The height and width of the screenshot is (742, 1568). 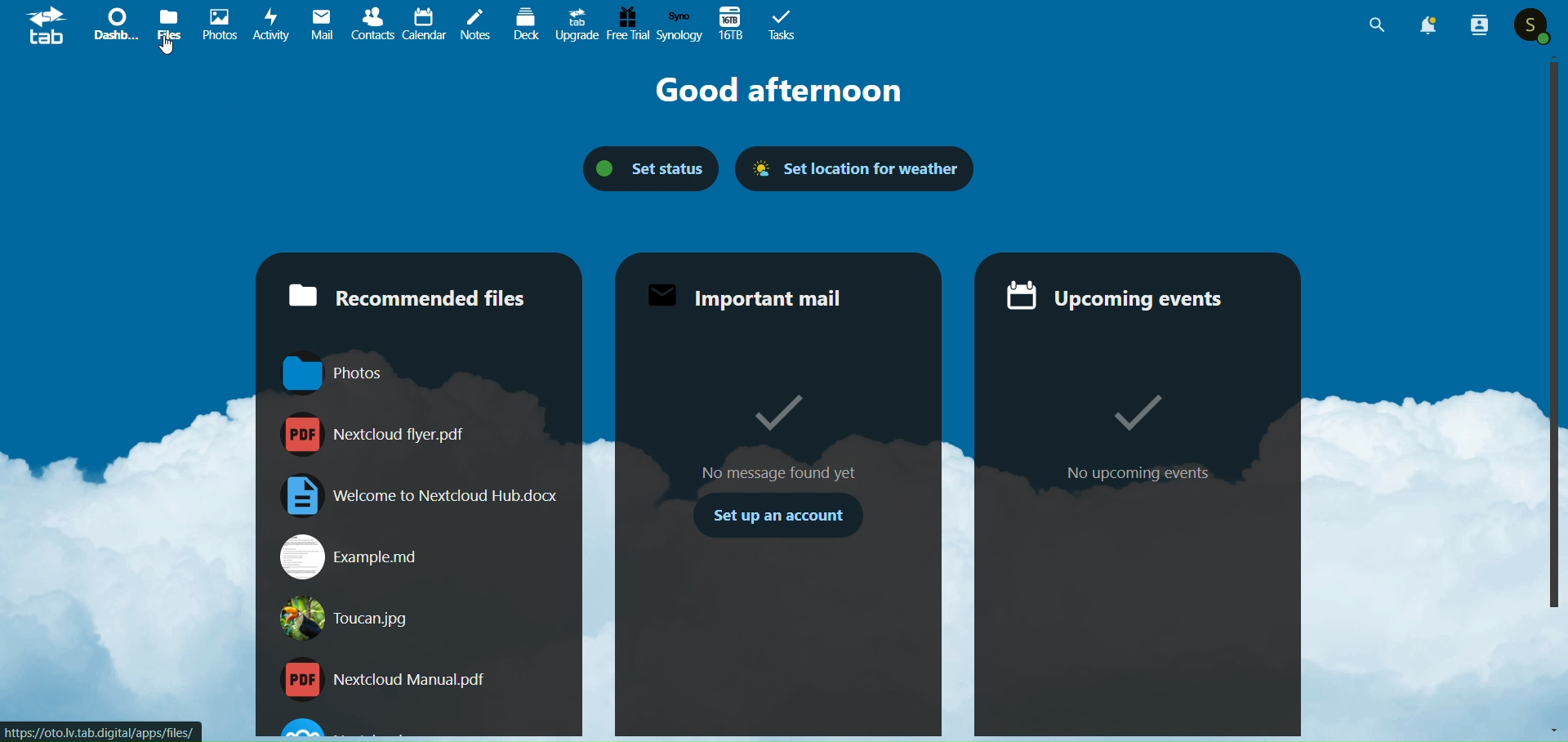 I want to click on upcoming events, so click(x=1125, y=295).